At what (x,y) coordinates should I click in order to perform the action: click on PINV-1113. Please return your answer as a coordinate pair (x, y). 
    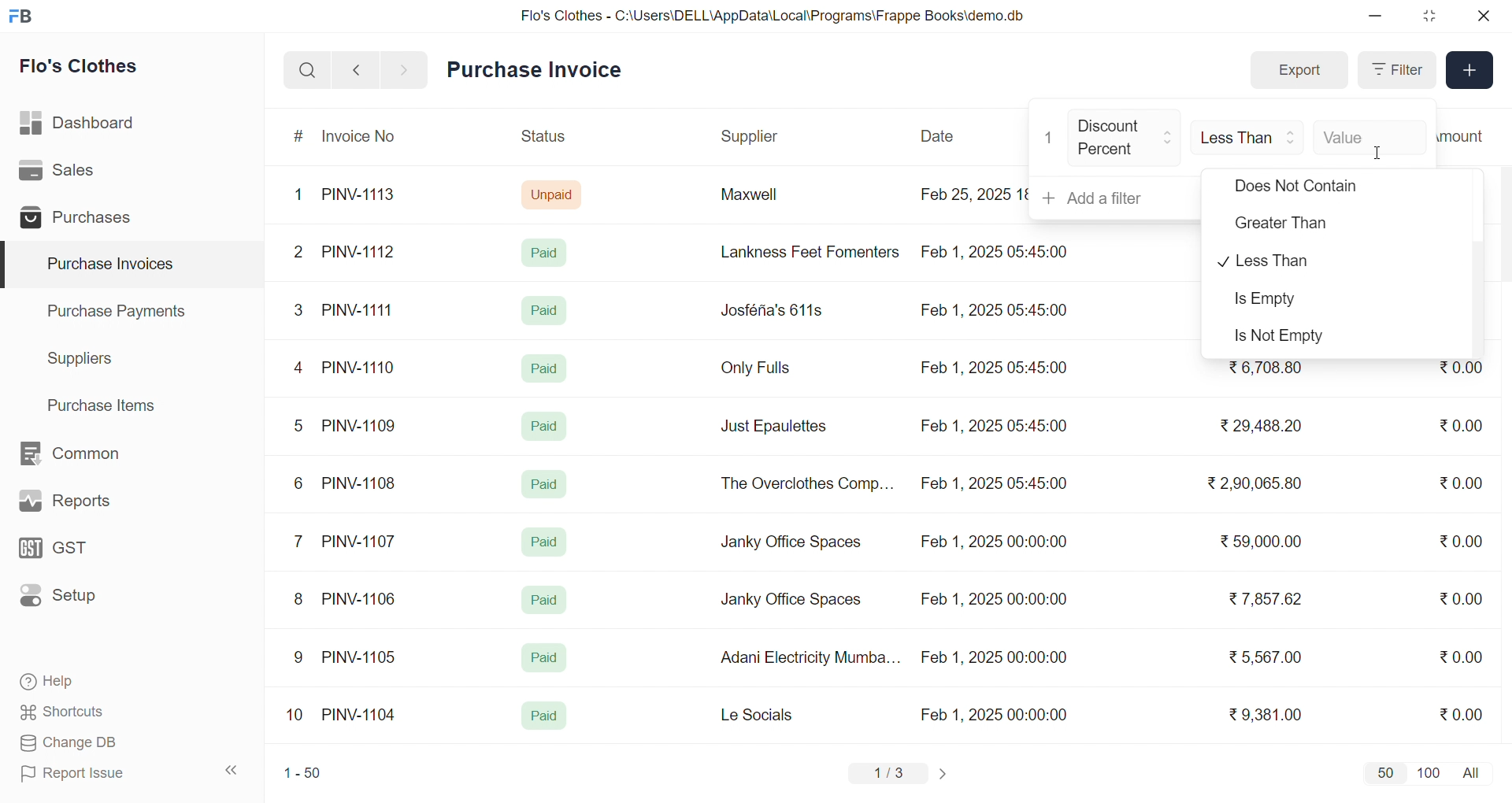
    Looking at the image, I should click on (365, 196).